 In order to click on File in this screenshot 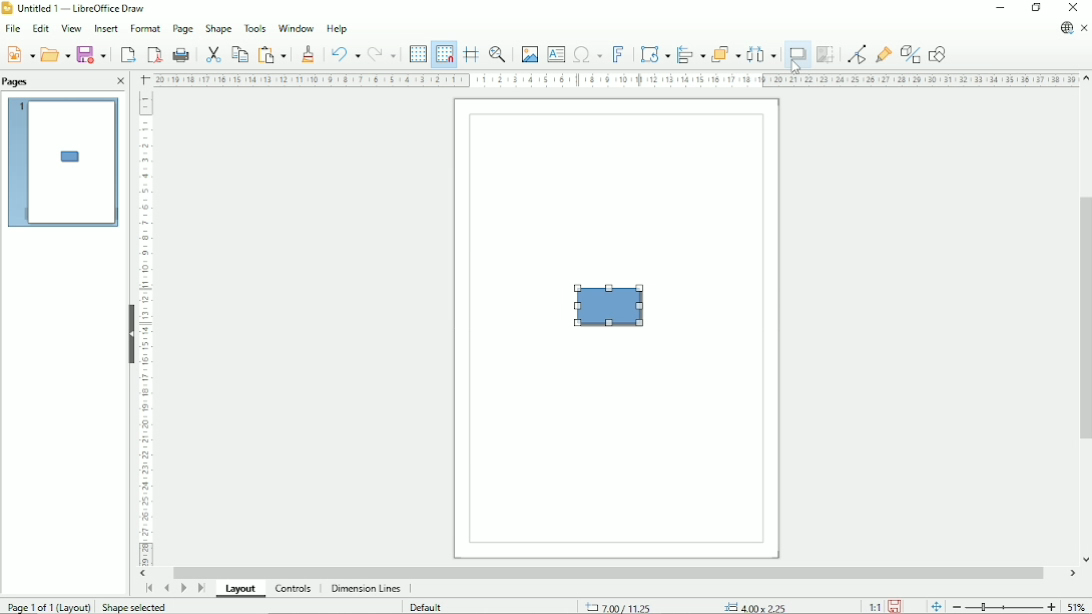, I will do `click(13, 29)`.